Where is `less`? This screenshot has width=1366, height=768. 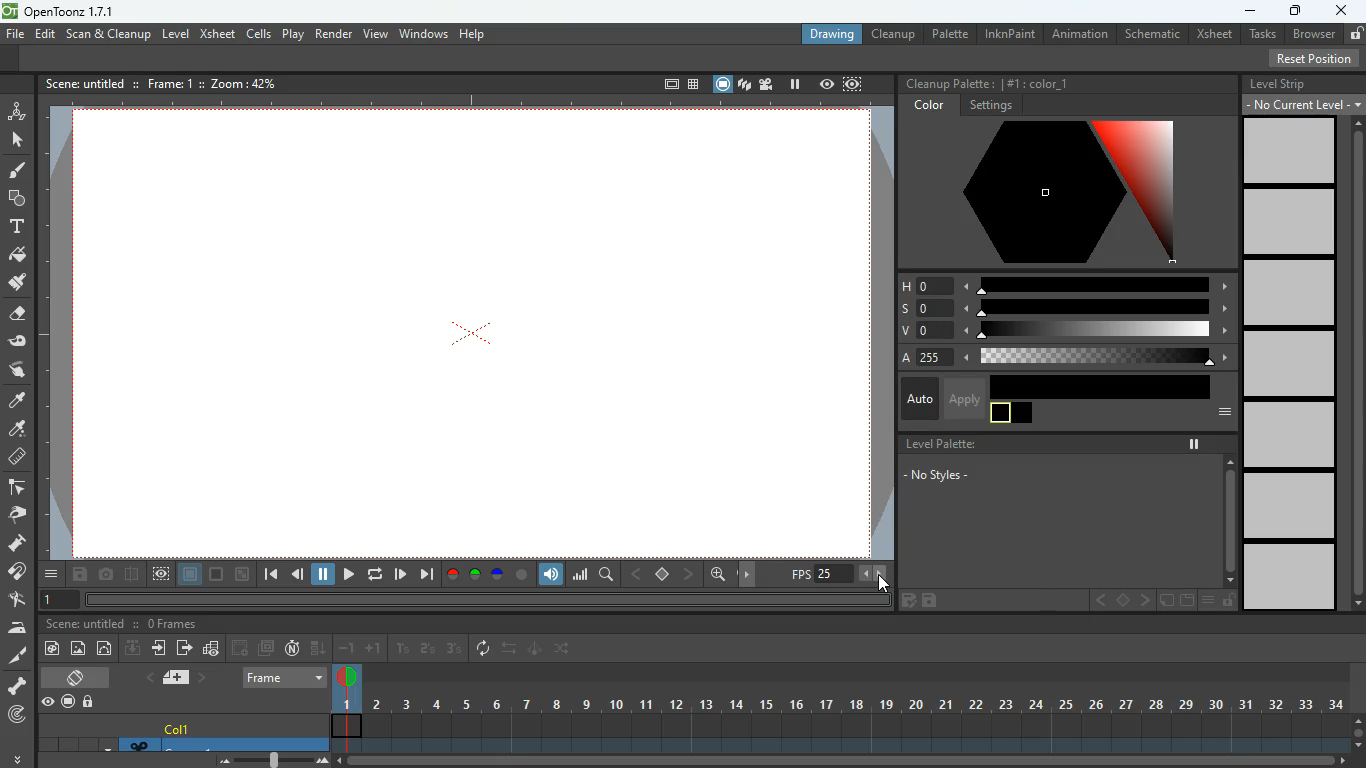 less is located at coordinates (865, 573).